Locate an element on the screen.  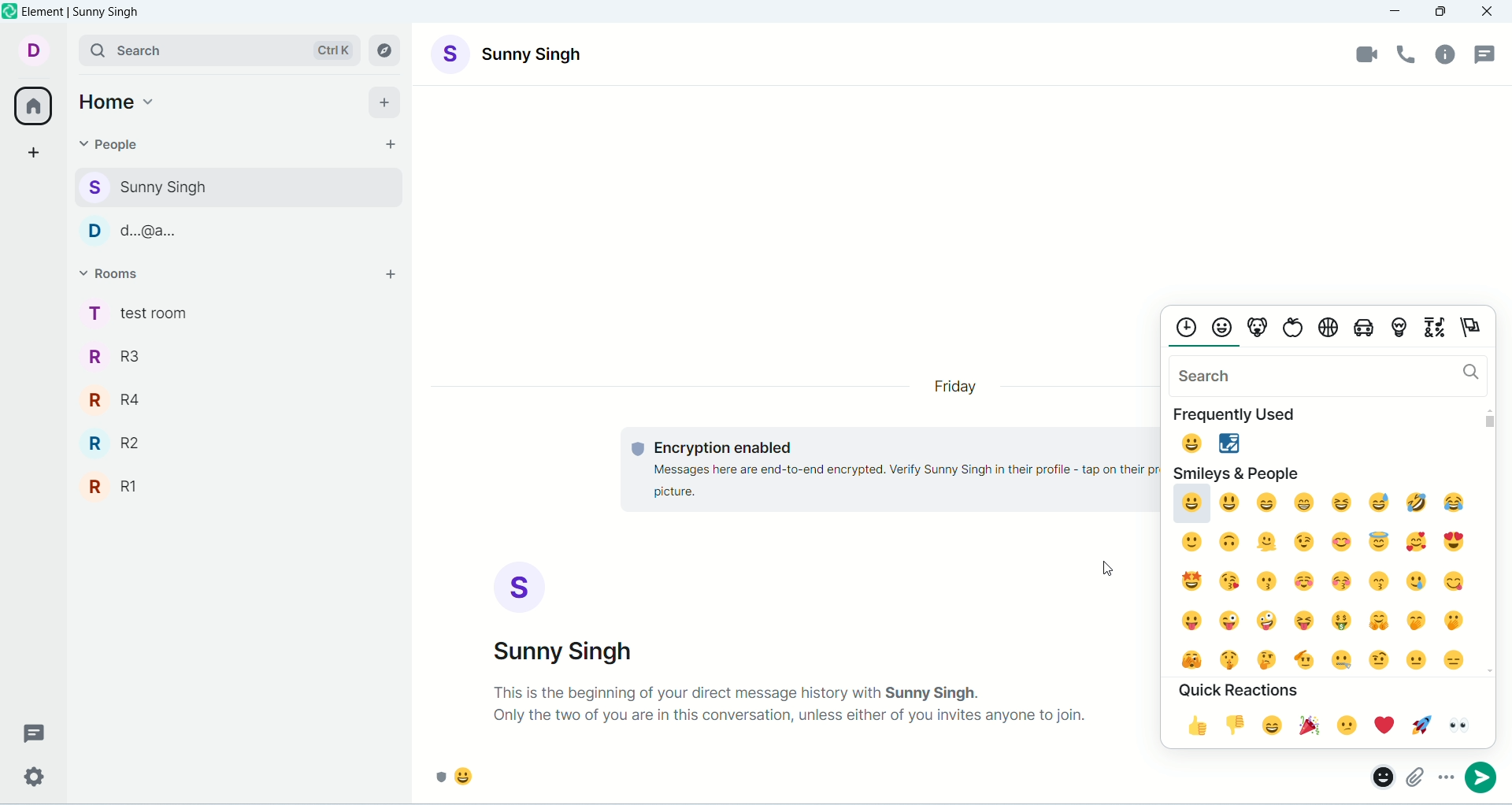
smileys and people is located at coordinates (1236, 471).